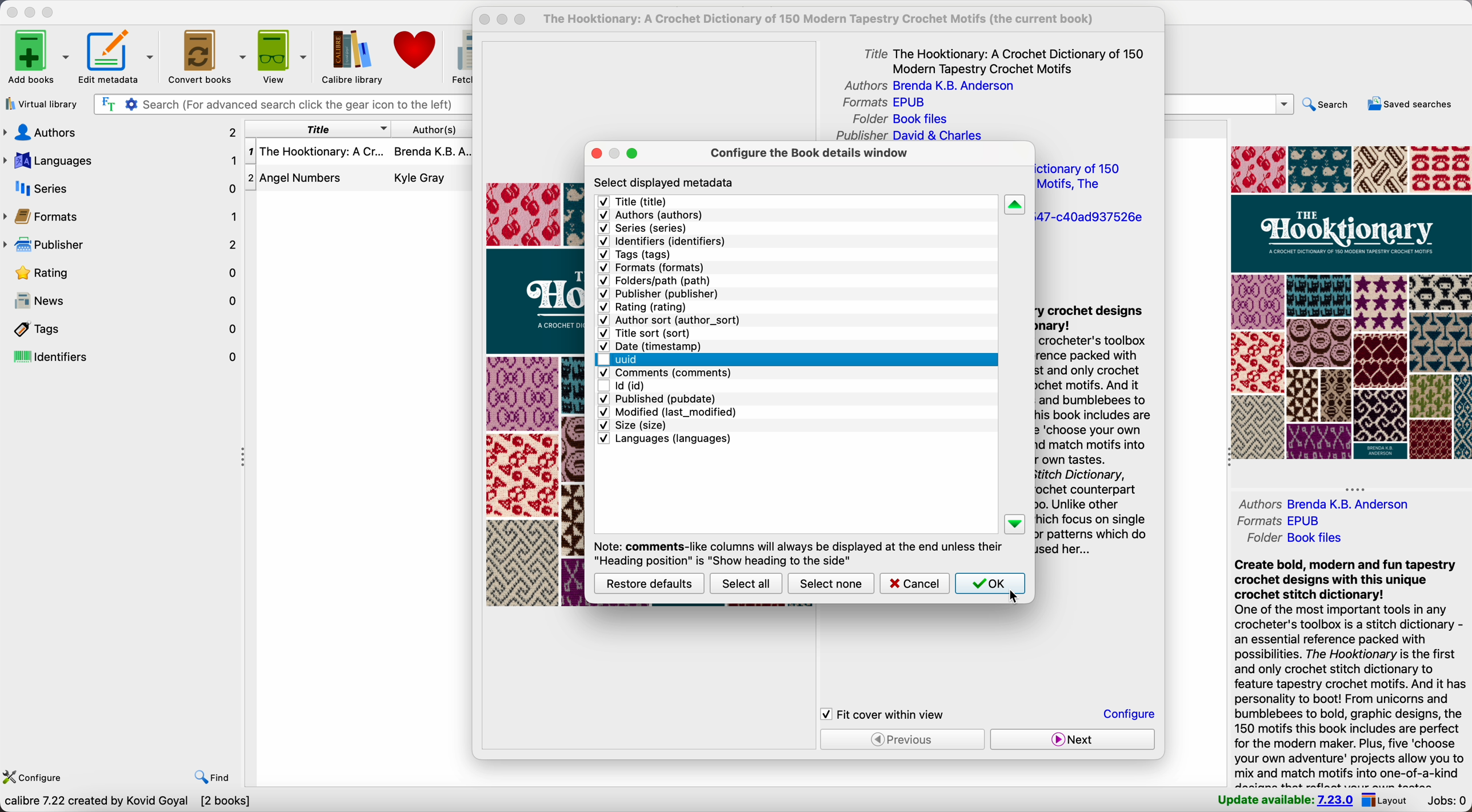 Image resolution: width=1472 pixels, height=812 pixels. I want to click on published, so click(659, 398).